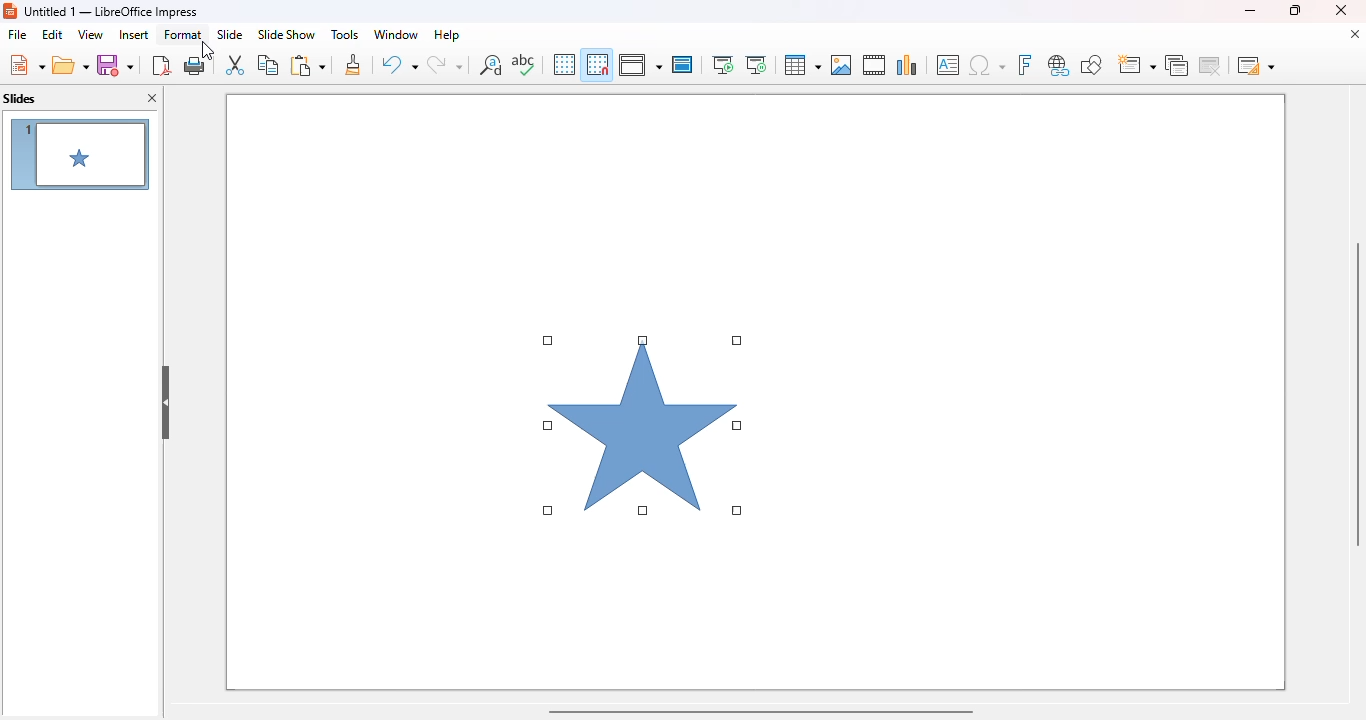 The image size is (1366, 720). I want to click on display grid, so click(563, 64).